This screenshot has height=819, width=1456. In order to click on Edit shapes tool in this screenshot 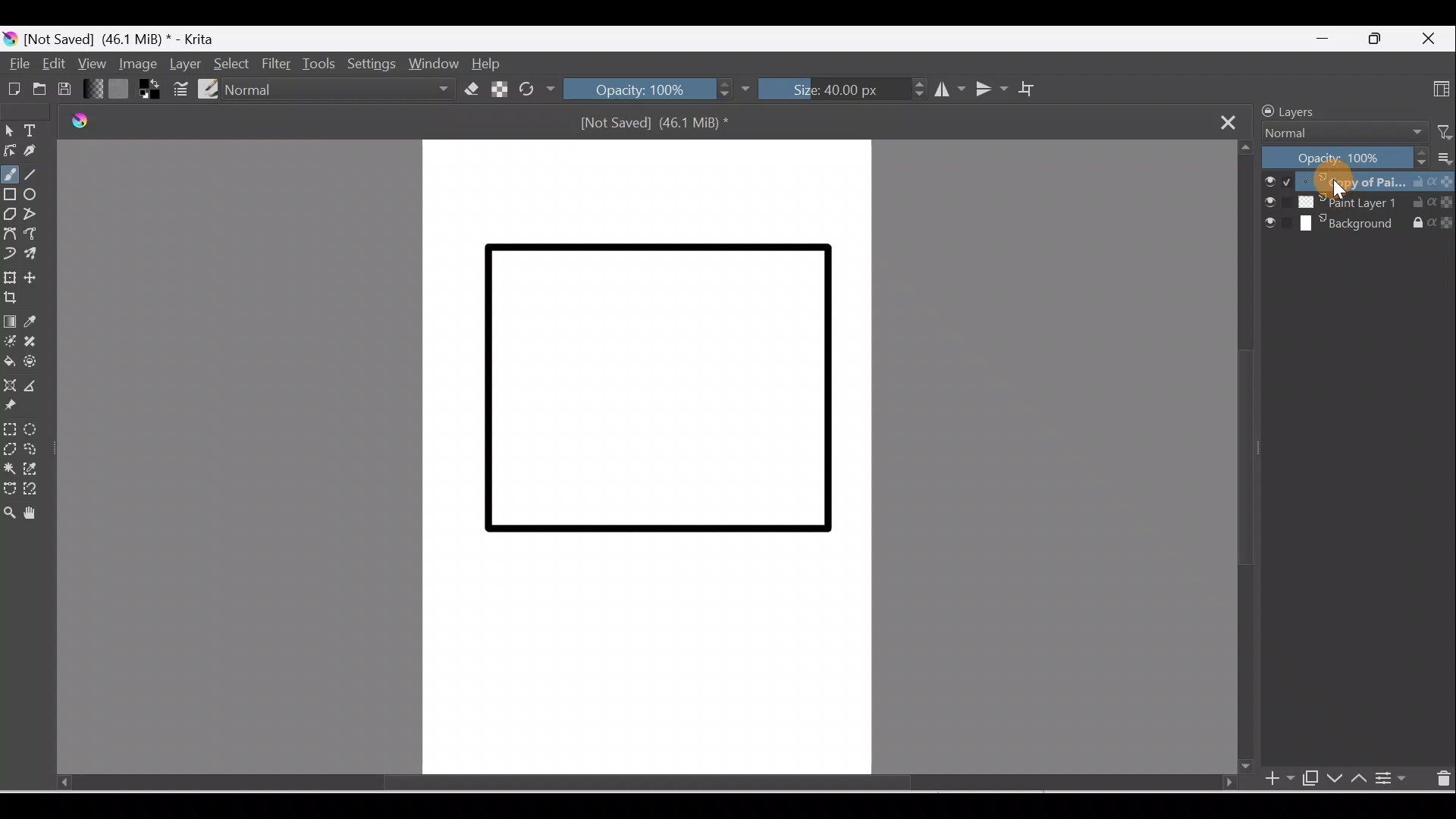, I will do `click(9, 149)`.